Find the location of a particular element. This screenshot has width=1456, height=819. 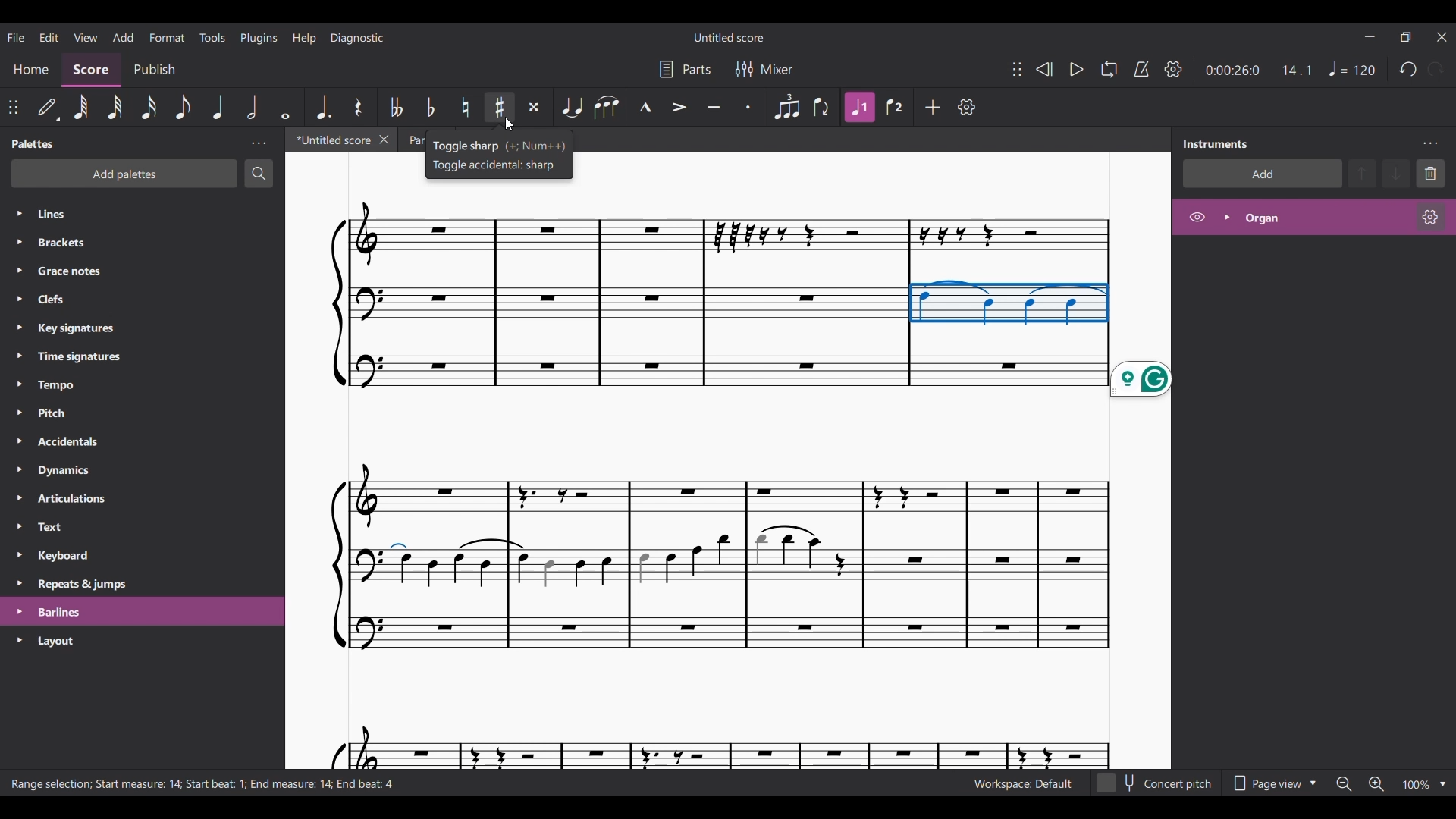

Undo is located at coordinates (1407, 70).